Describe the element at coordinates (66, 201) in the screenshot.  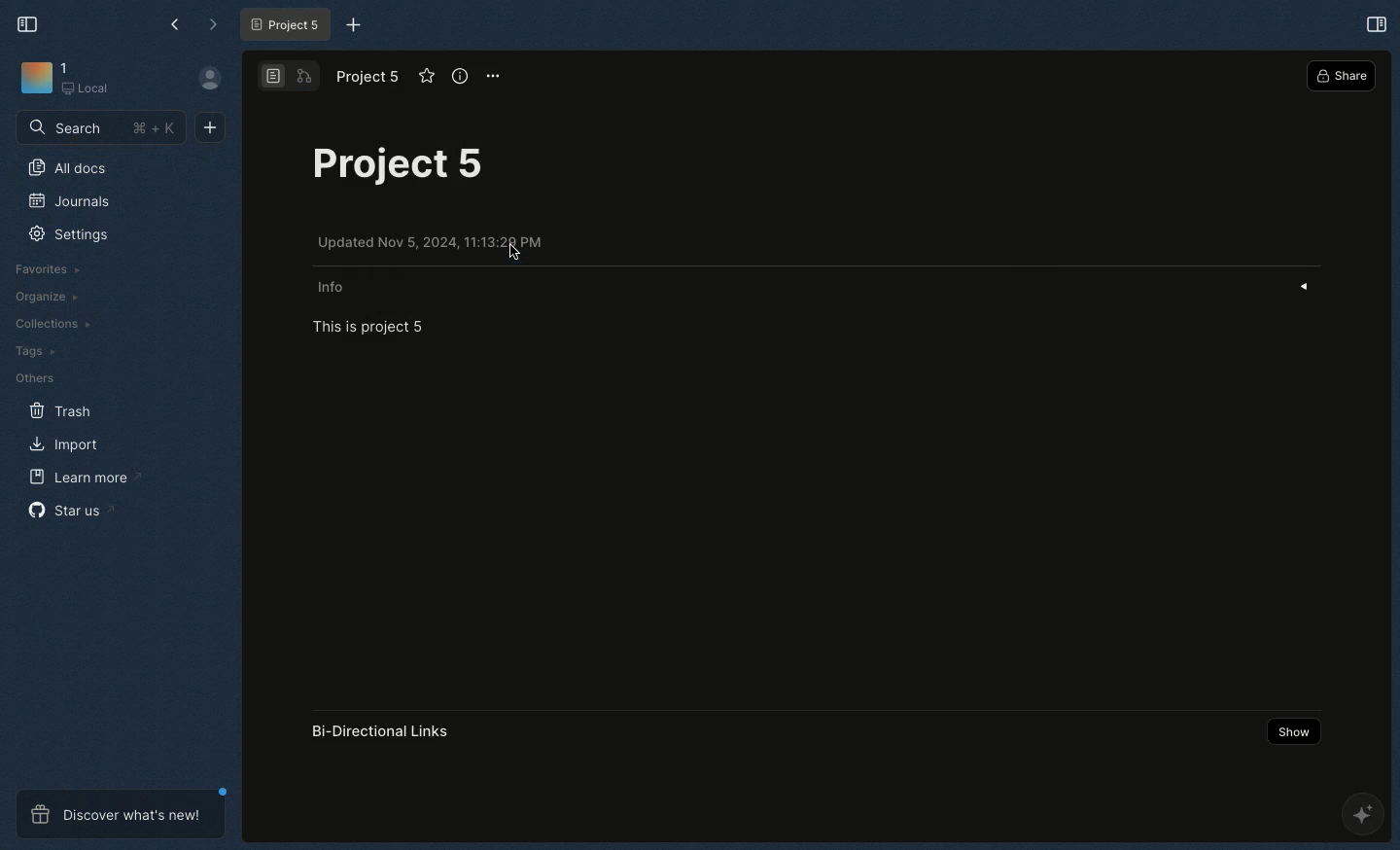
I see `Journals` at that location.